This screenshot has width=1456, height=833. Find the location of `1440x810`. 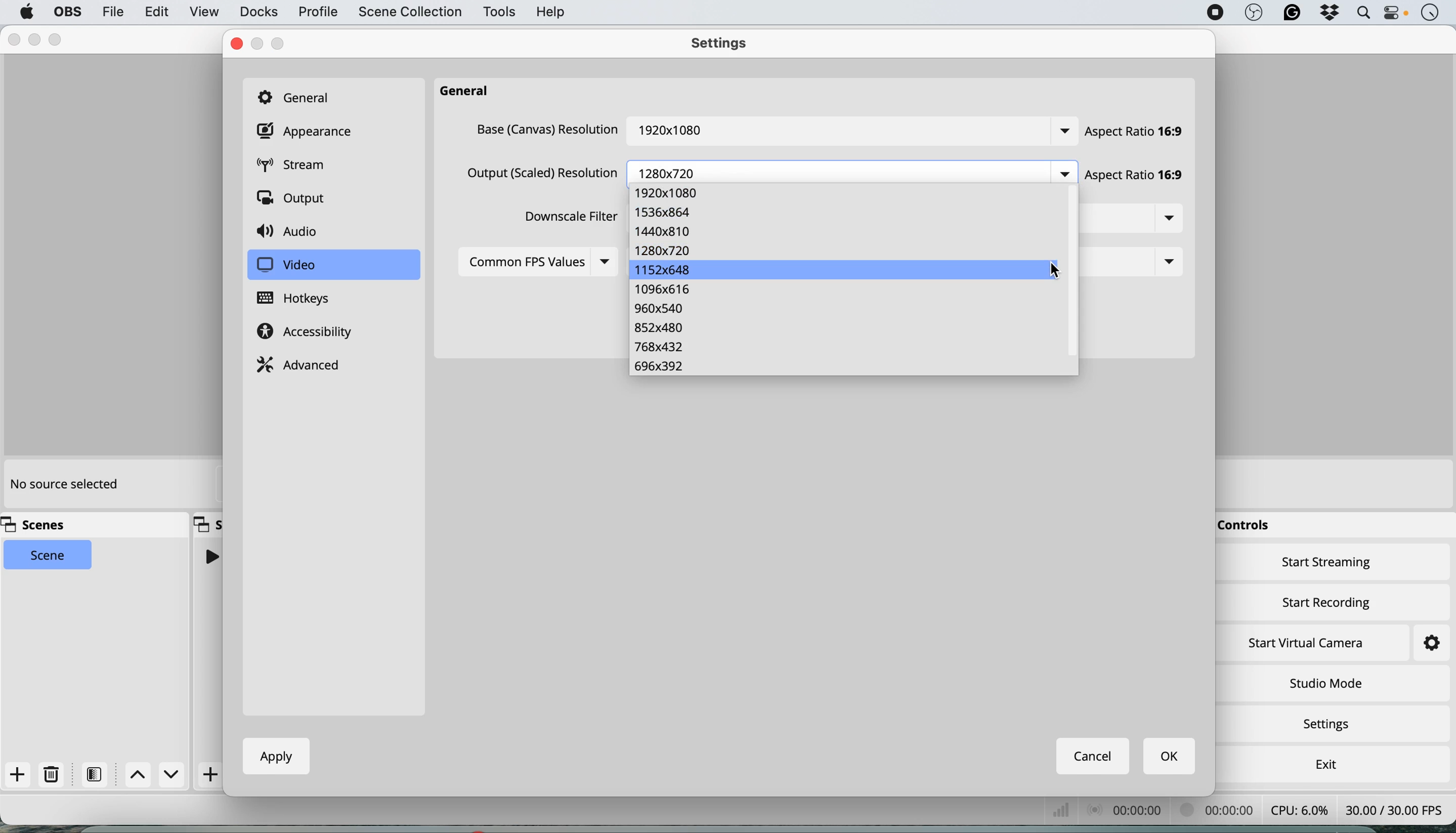

1440x810 is located at coordinates (666, 230).